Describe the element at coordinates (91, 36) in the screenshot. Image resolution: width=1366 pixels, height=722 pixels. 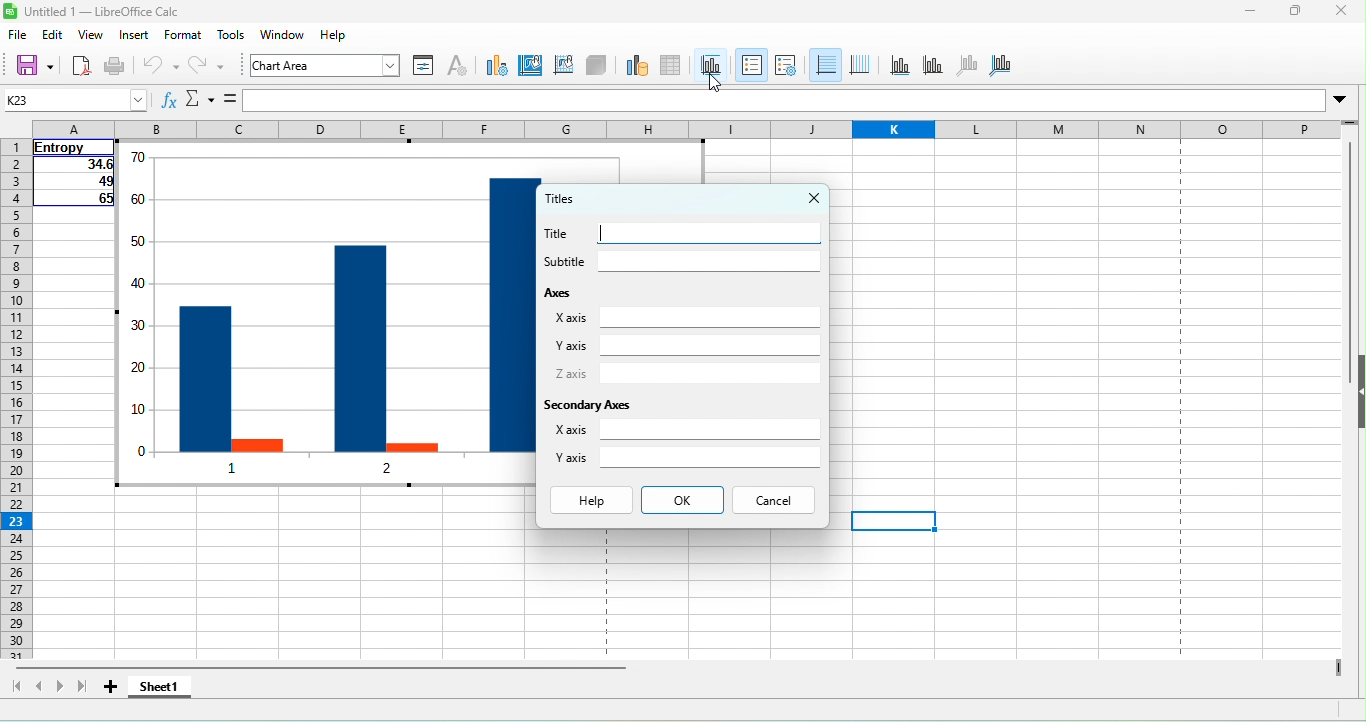
I see `view` at that location.